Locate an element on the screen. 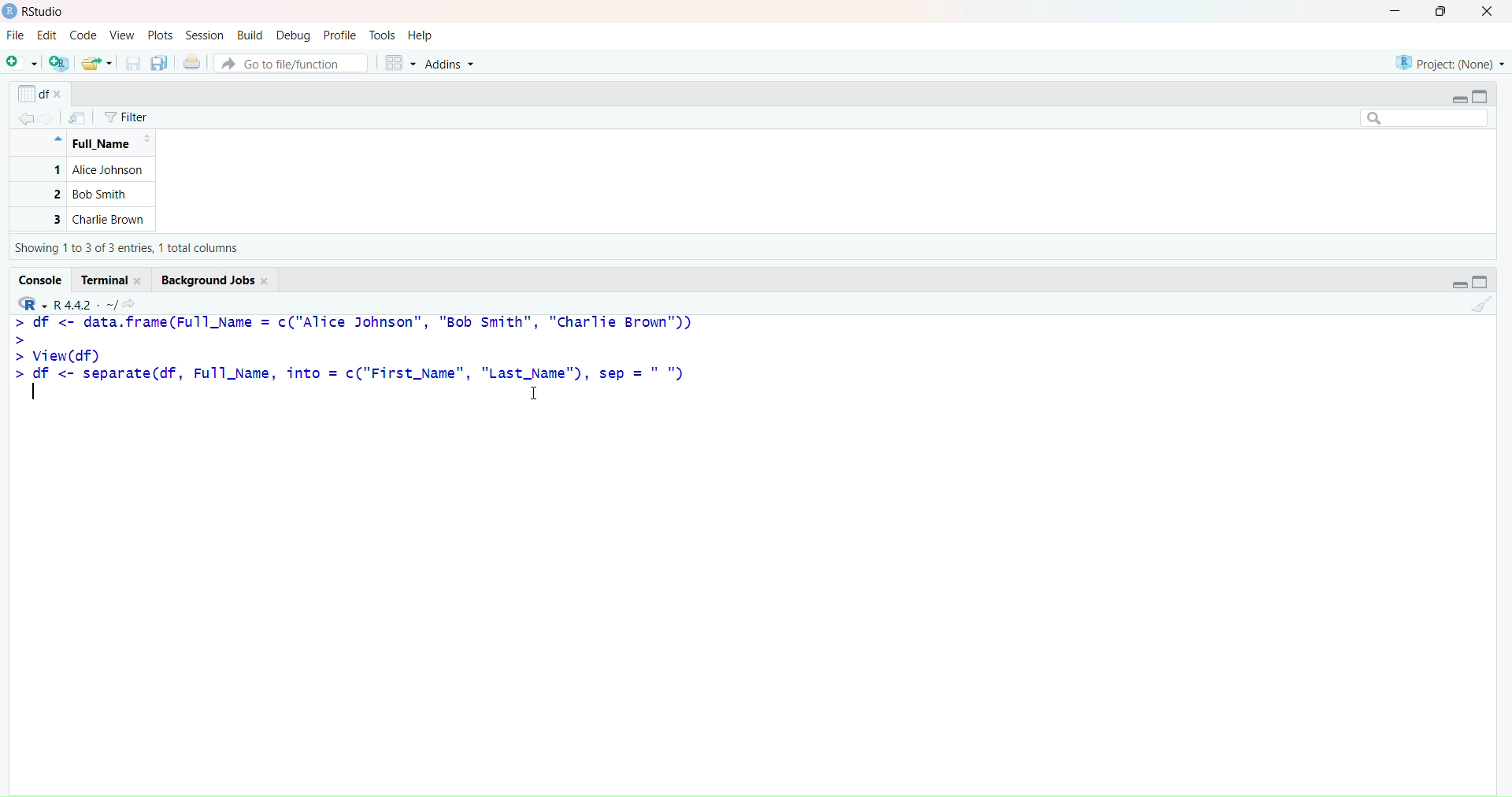 The image size is (1512, 797). Maximize is located at coordinates (1441, 14).